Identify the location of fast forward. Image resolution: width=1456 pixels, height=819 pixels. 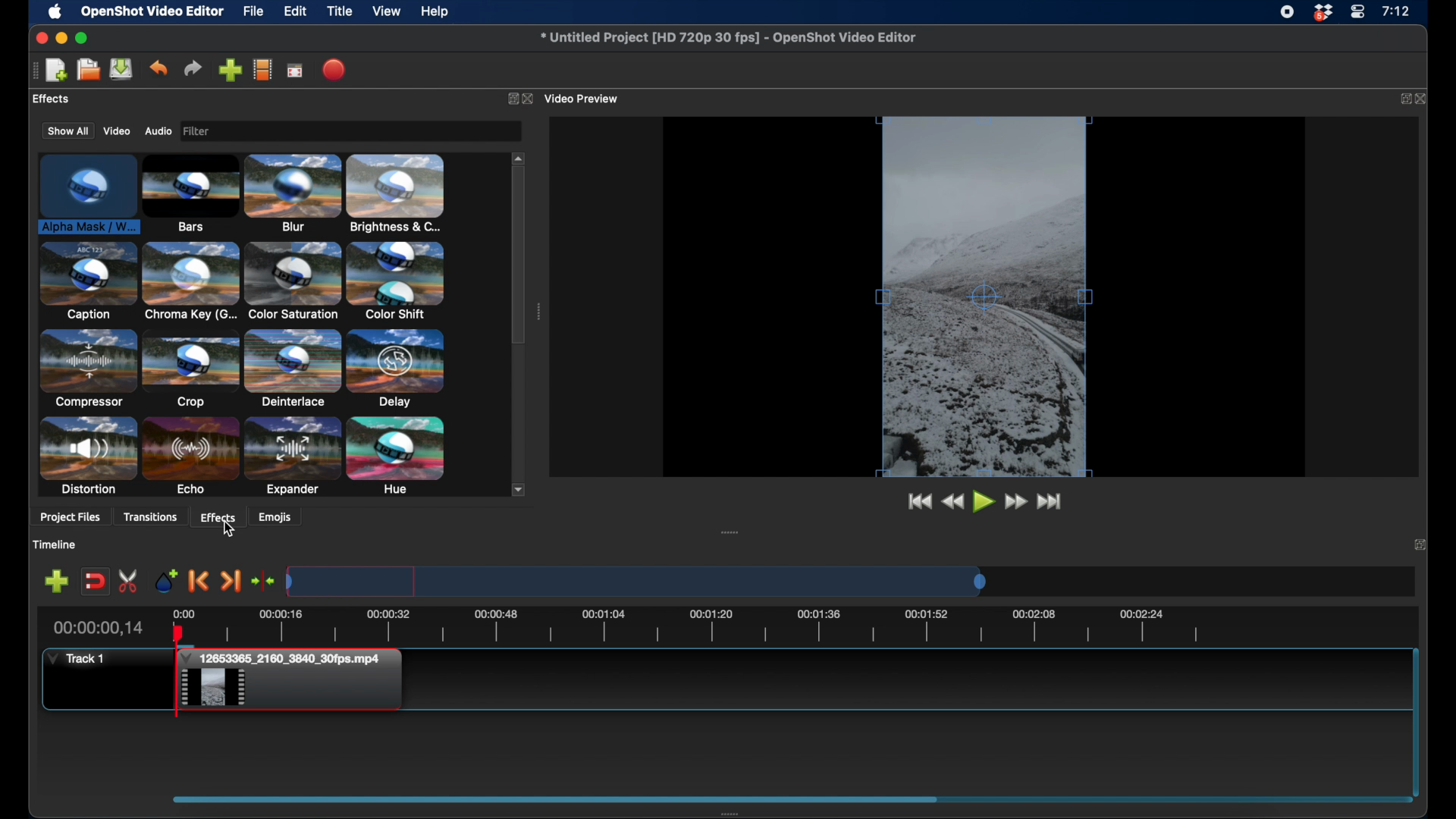
(1018, 502).